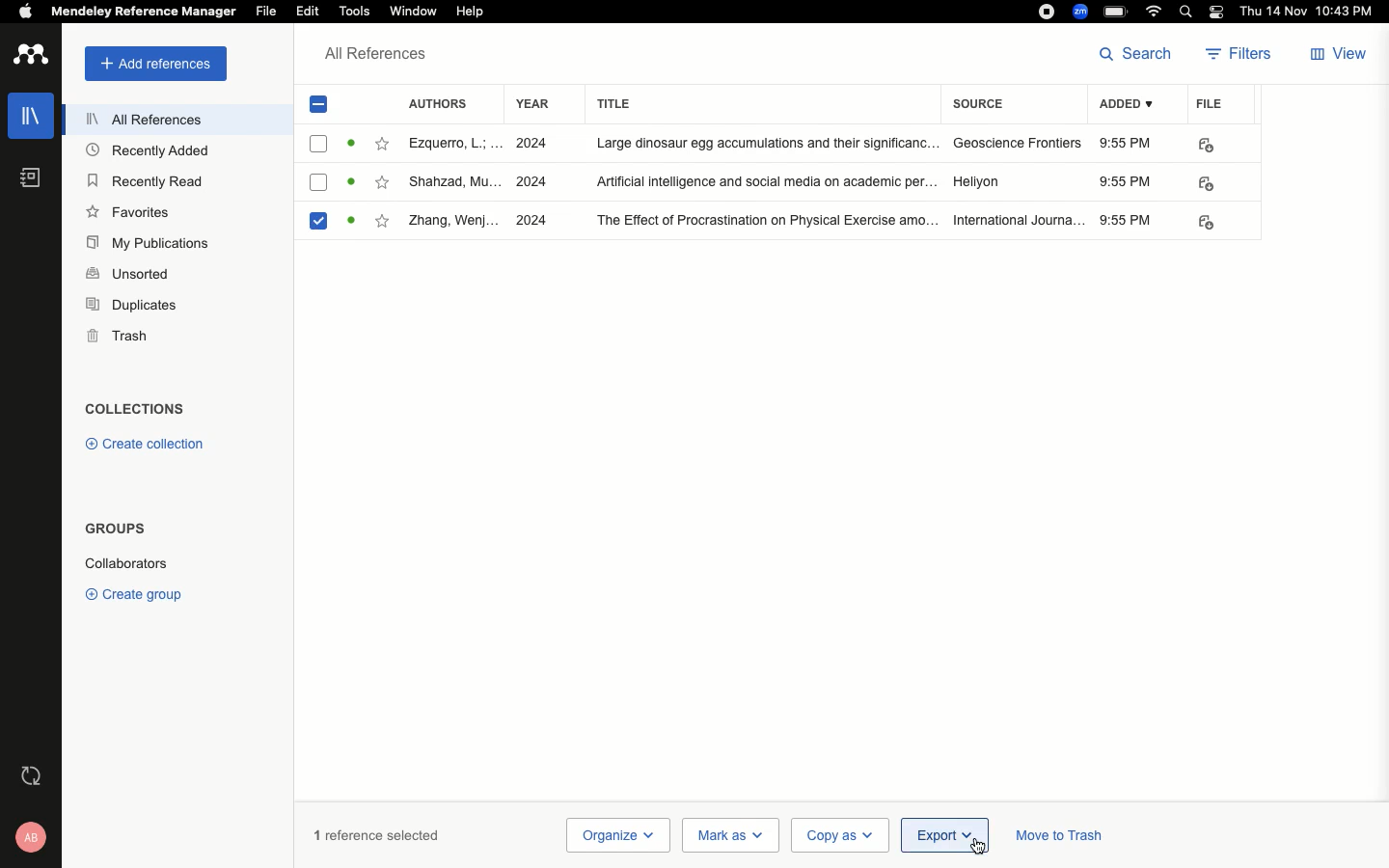  What do you see at coordinates (1126, 181) in the screenshot?
I see `9:55 PM` at bounding box center [1126, 181].